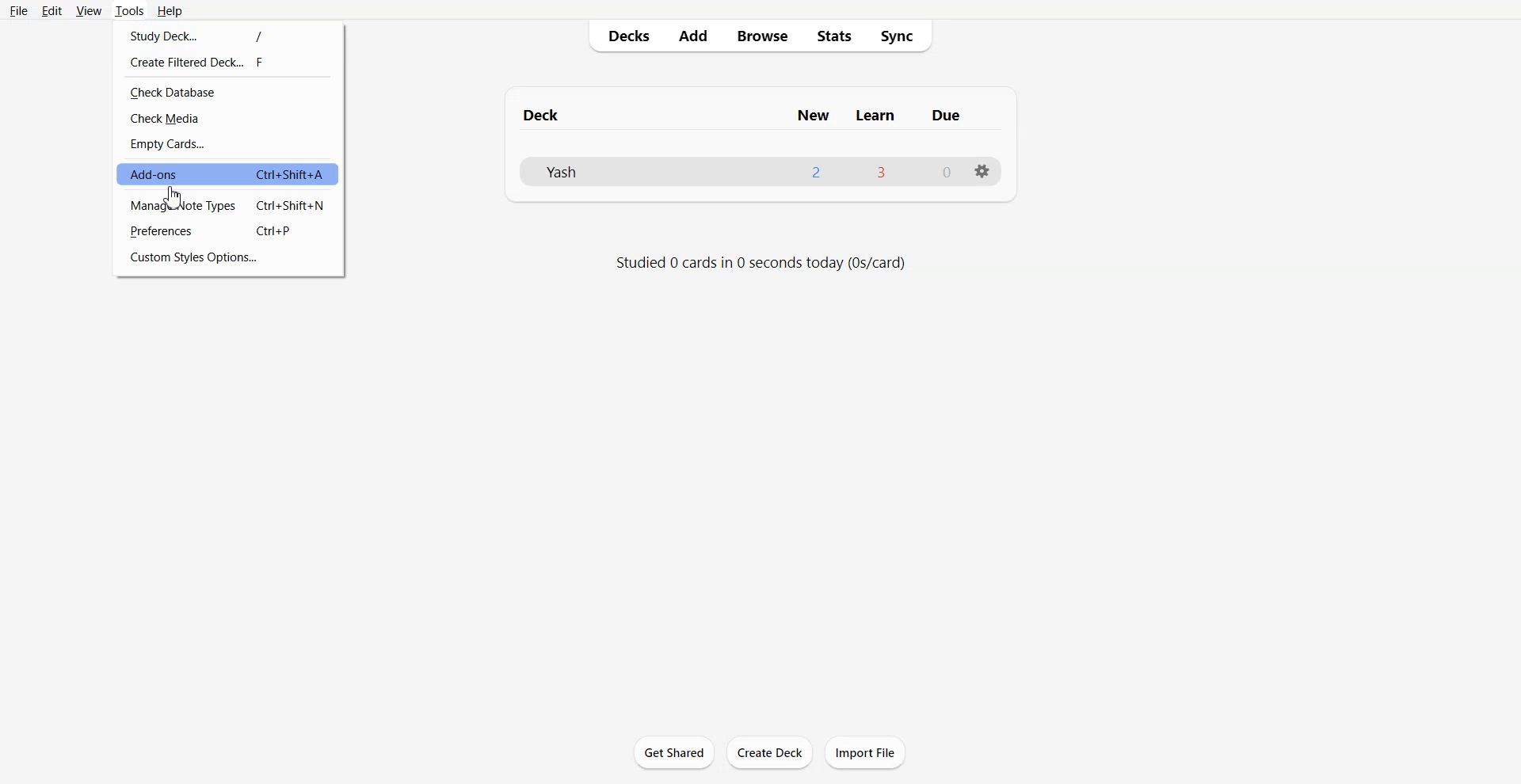  I want to click on Study Deck, so click(229, 35).